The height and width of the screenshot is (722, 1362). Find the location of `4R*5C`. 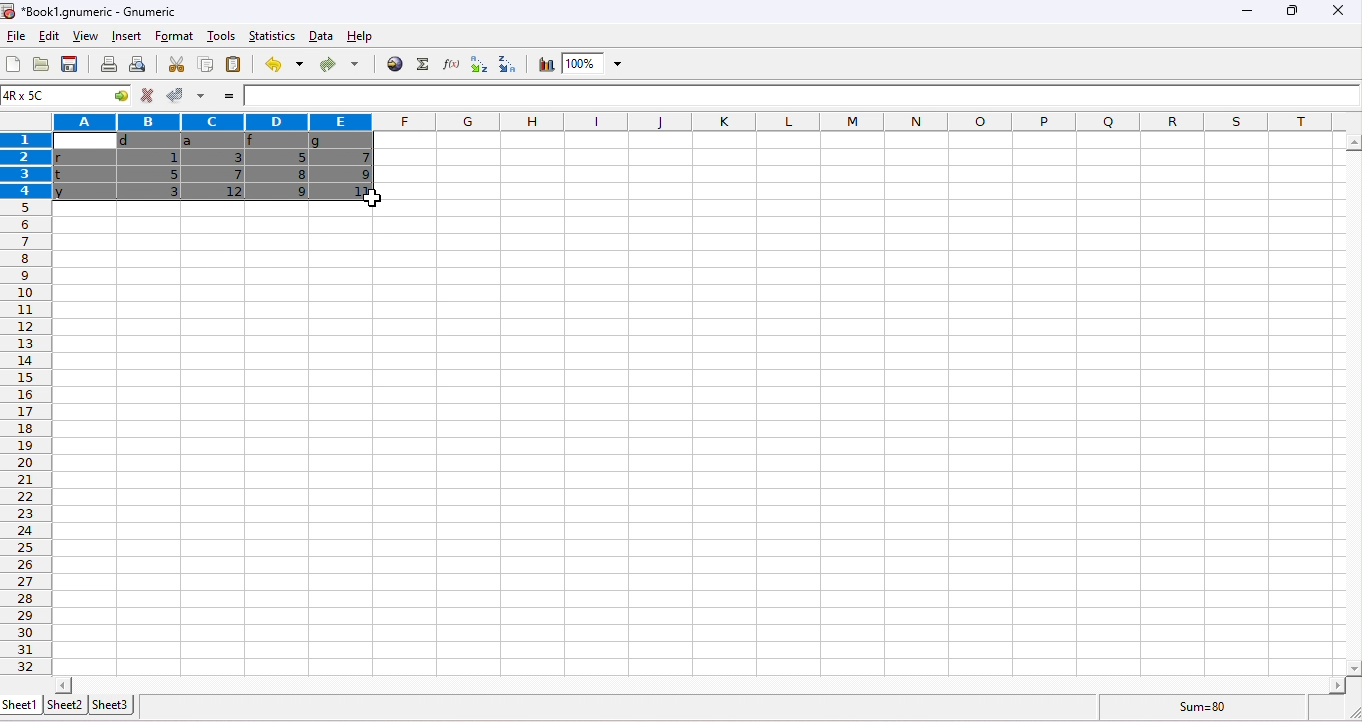

4R*5C is located at coordinates (52, 96).